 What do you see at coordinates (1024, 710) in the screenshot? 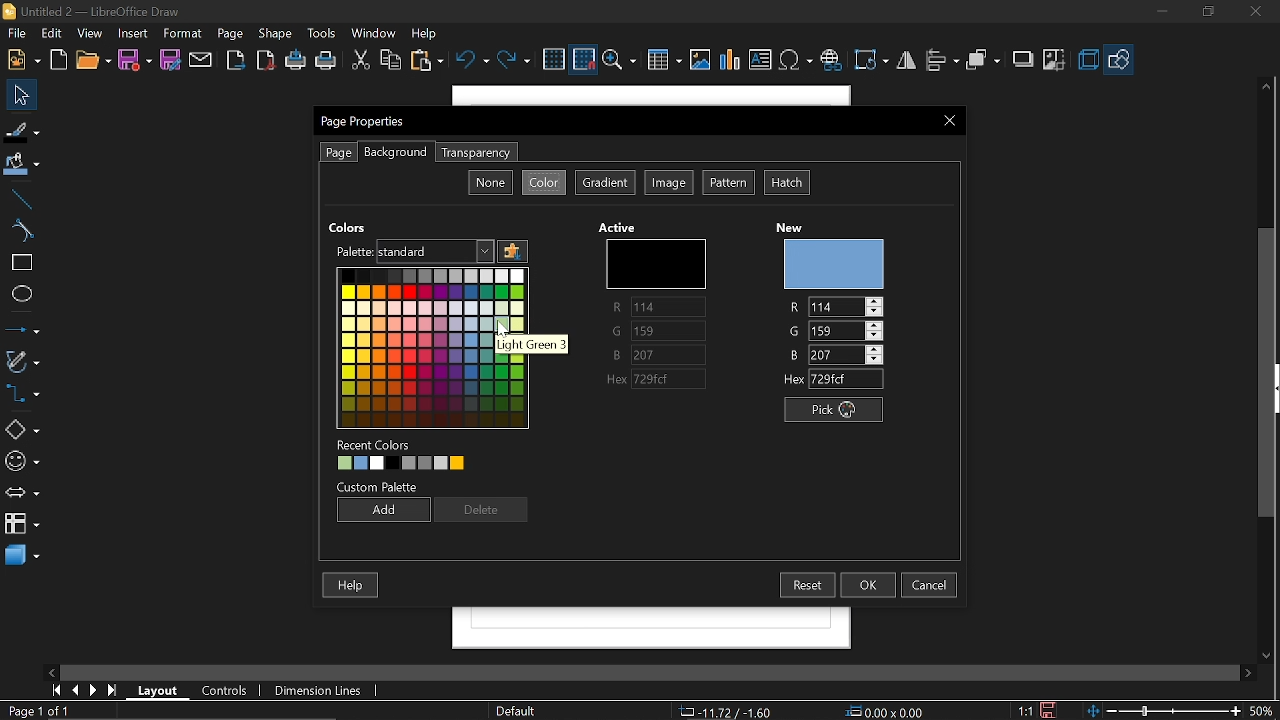
I see `Scaling factor` at bounding box center [1024, 710].